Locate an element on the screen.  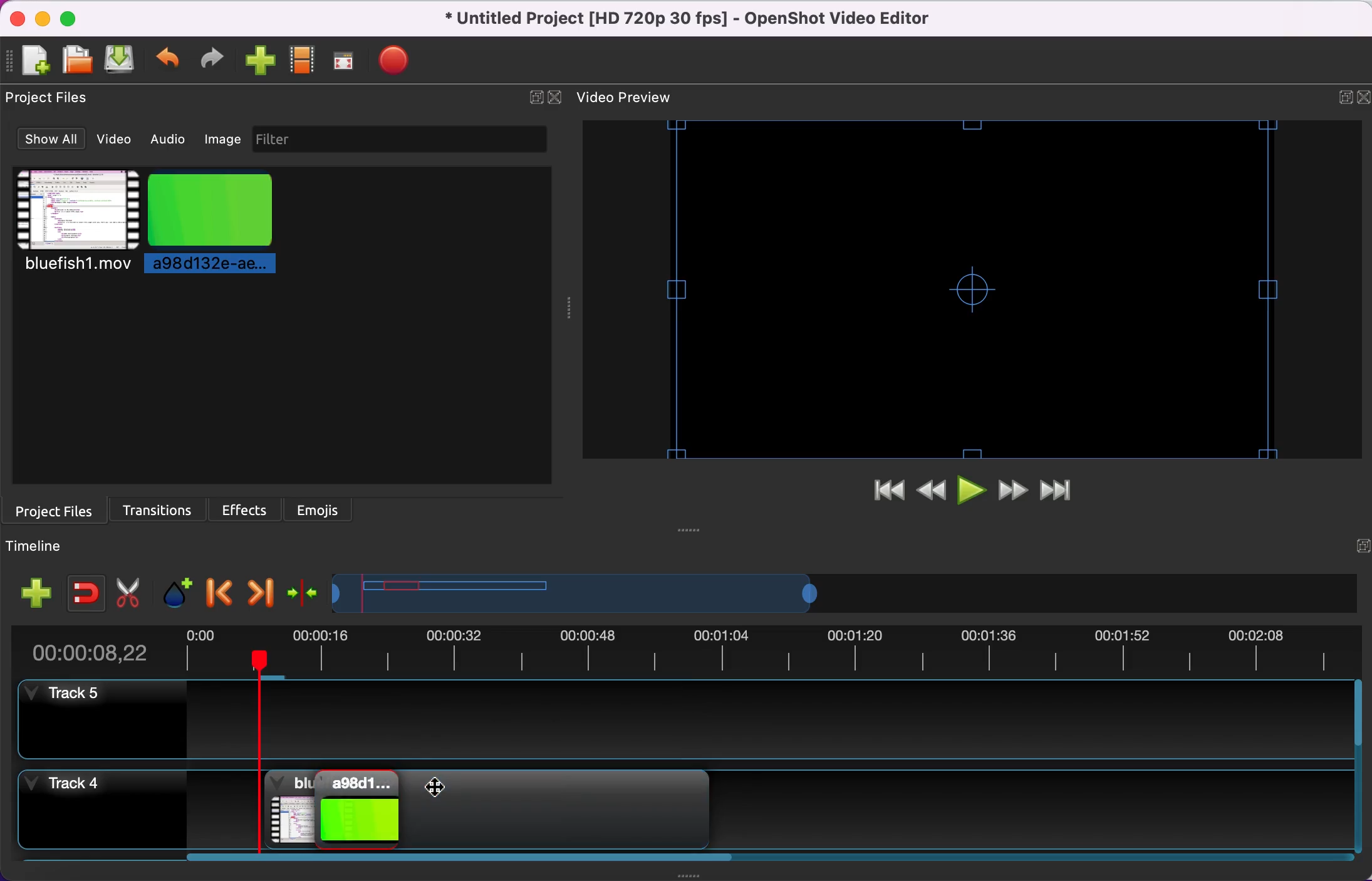
open file is located at coordinates (75, 58).